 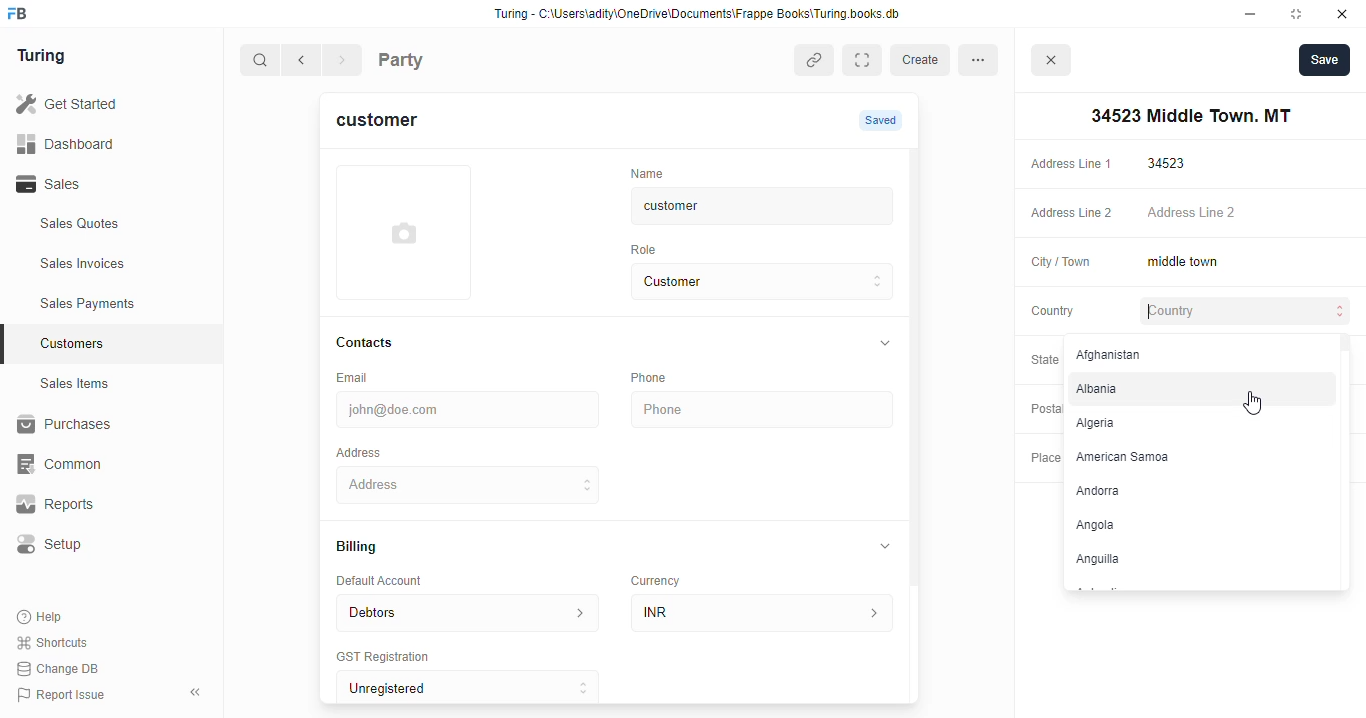 What do you see at coordinates (650, 249) in the screenshot?
I see `Role` at bounding box center [650, 249].